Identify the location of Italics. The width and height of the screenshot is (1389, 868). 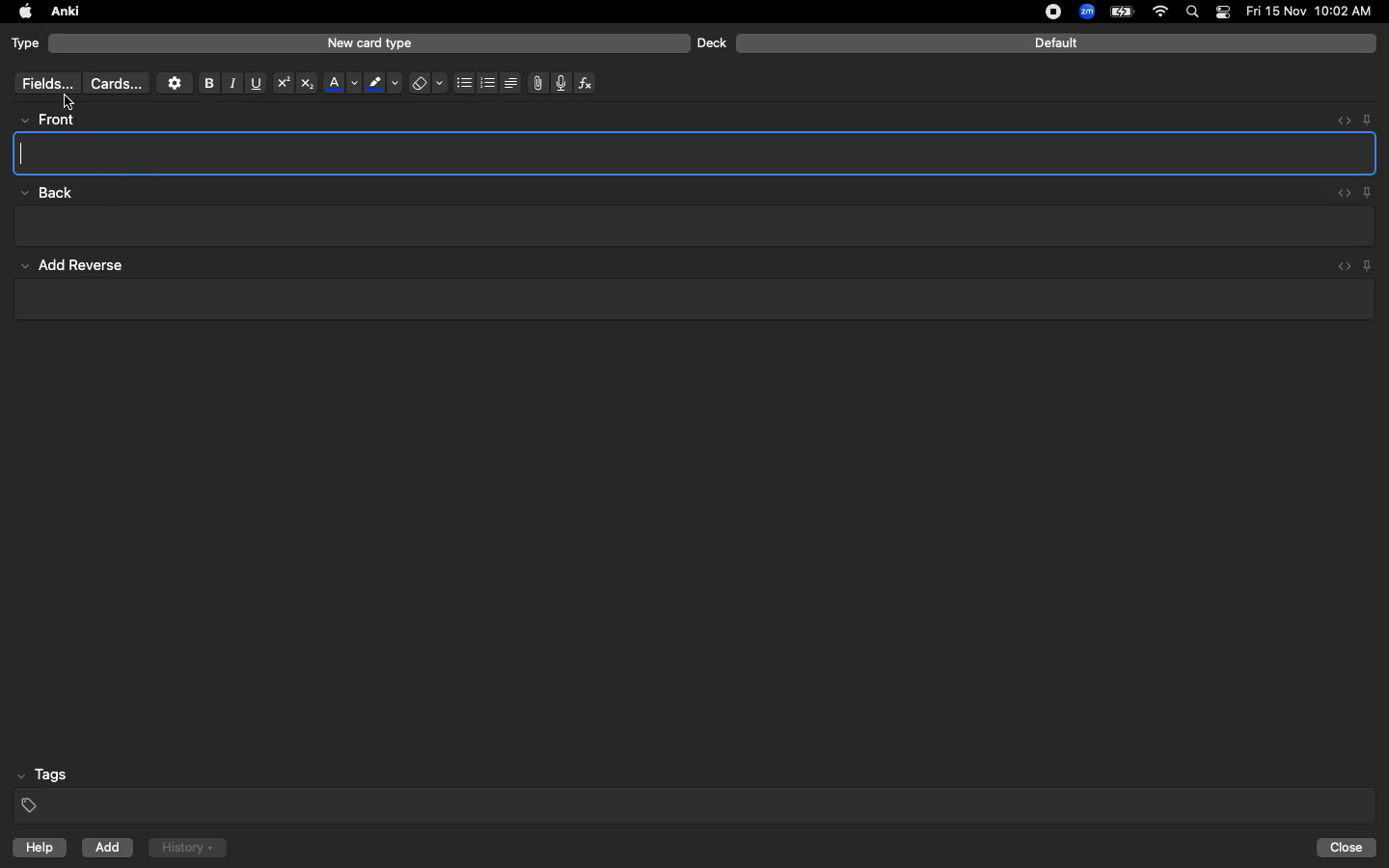
(230, 84).